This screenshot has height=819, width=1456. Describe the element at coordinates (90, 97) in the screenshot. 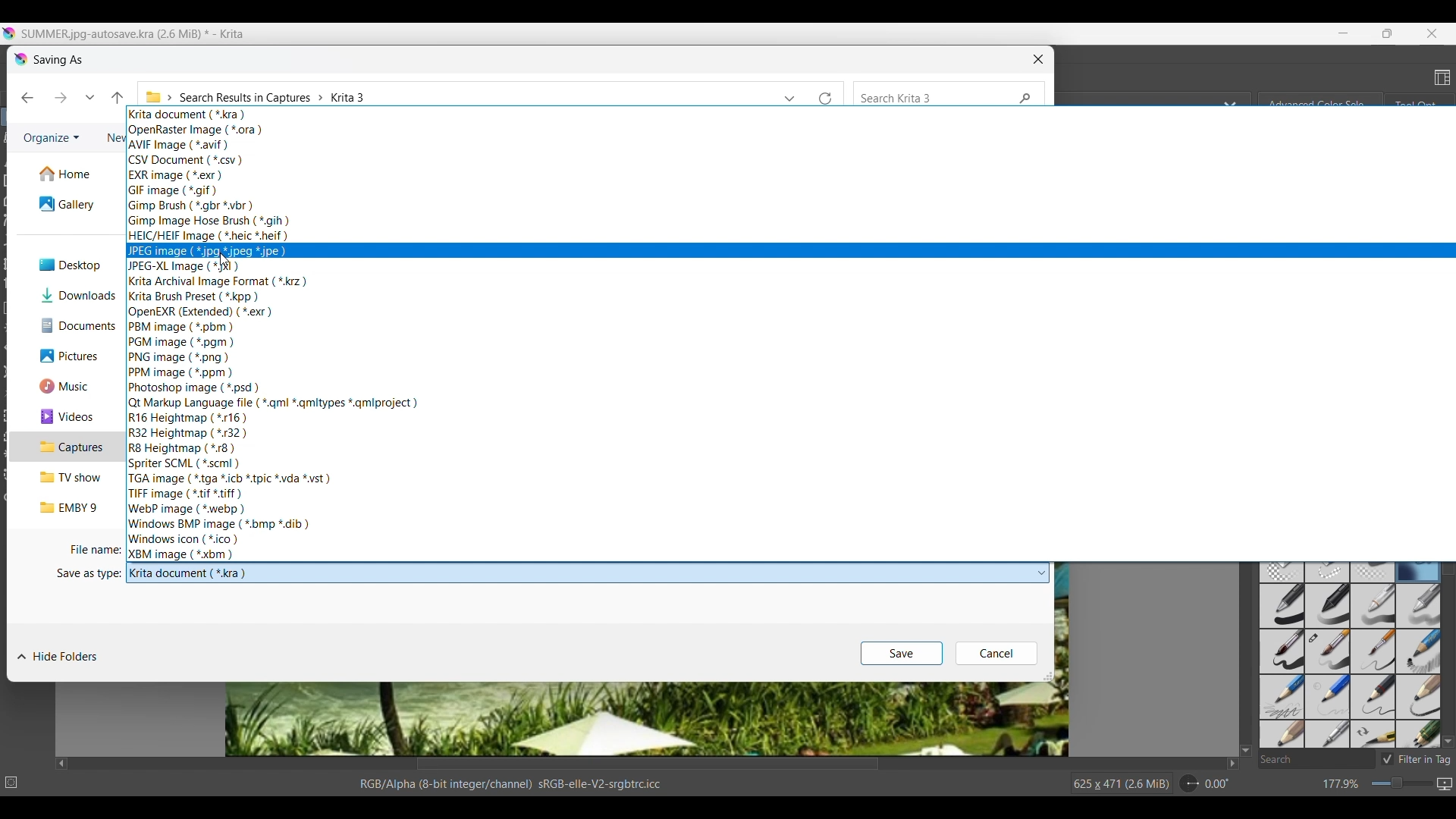

I see `Recent location` at that location.